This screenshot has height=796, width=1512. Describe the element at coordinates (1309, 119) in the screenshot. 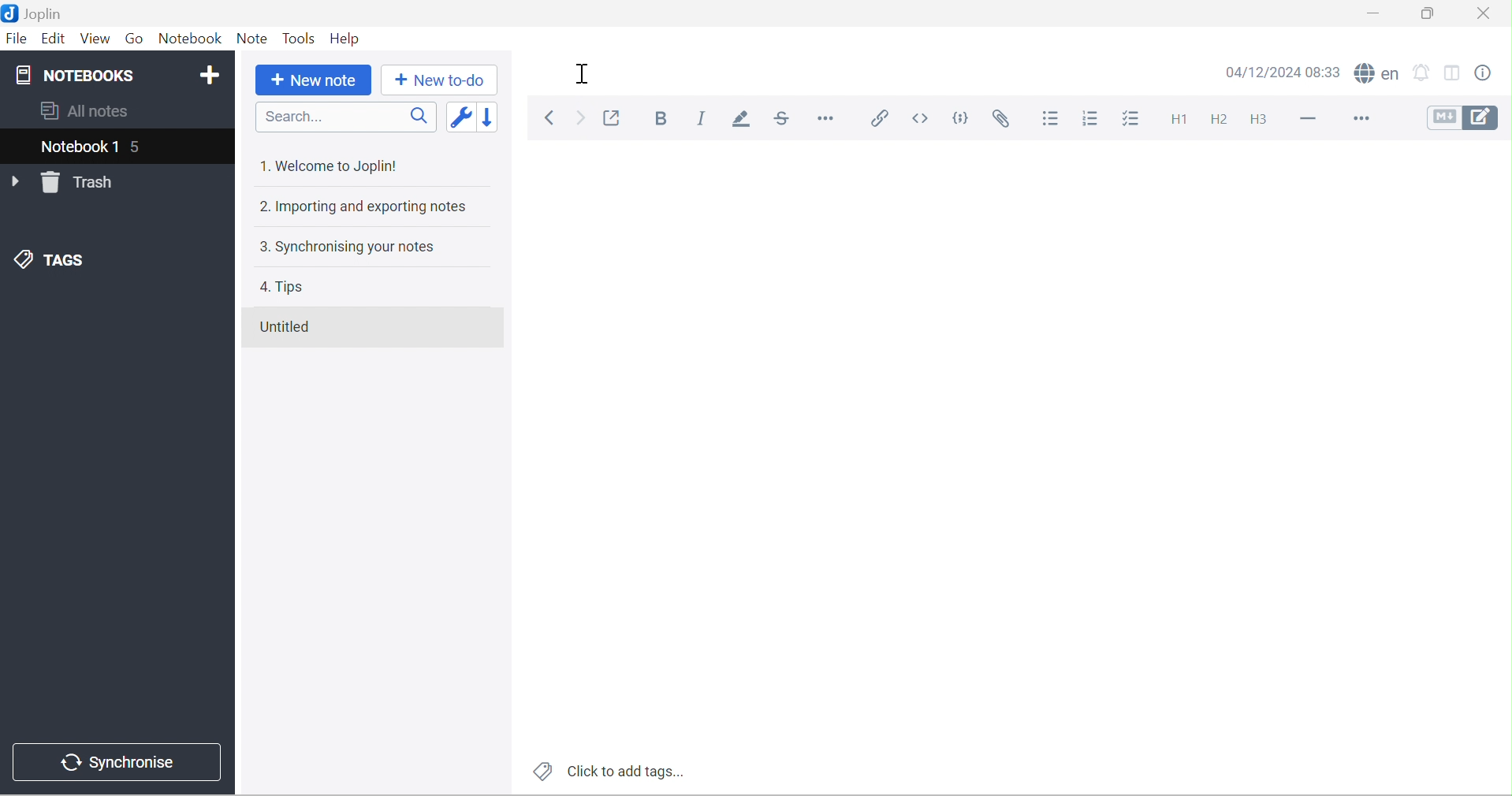

I see `Horizontal lines` at that location.